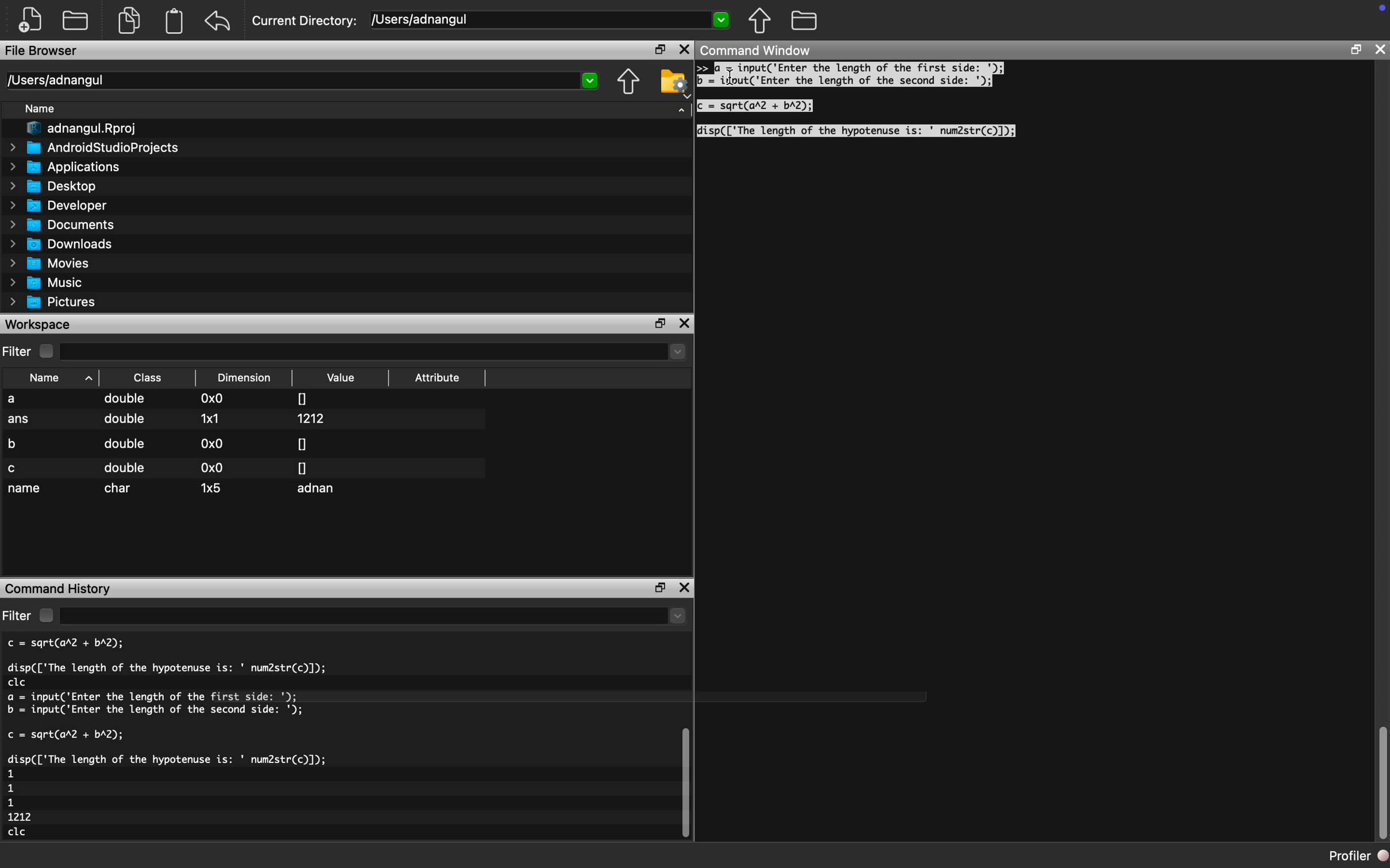 This screenshot has width=1390, height=868. Describe the element at coordinates (34, 20) in the screenshot. I see `create new` at that location.